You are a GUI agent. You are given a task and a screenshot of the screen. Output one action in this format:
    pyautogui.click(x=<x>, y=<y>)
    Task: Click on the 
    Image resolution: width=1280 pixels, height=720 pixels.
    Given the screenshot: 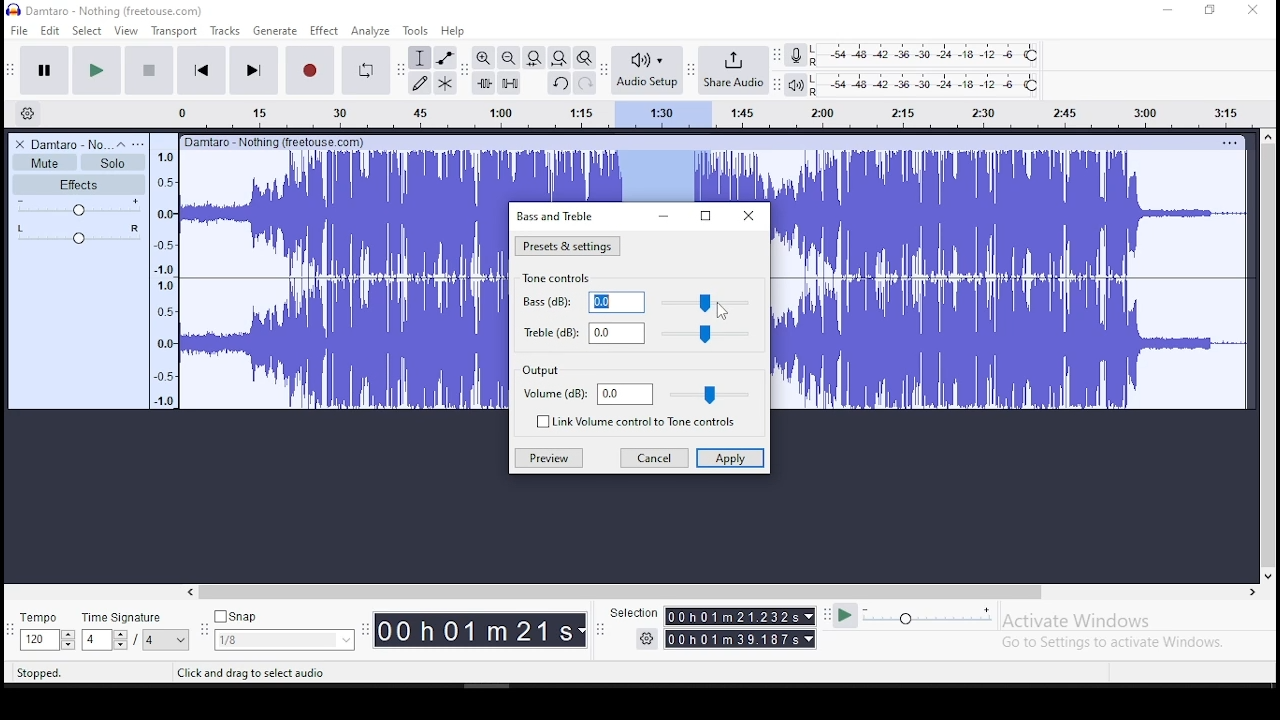 What is the action you would take?
    pyautogui.click(x=690, y=70)
    